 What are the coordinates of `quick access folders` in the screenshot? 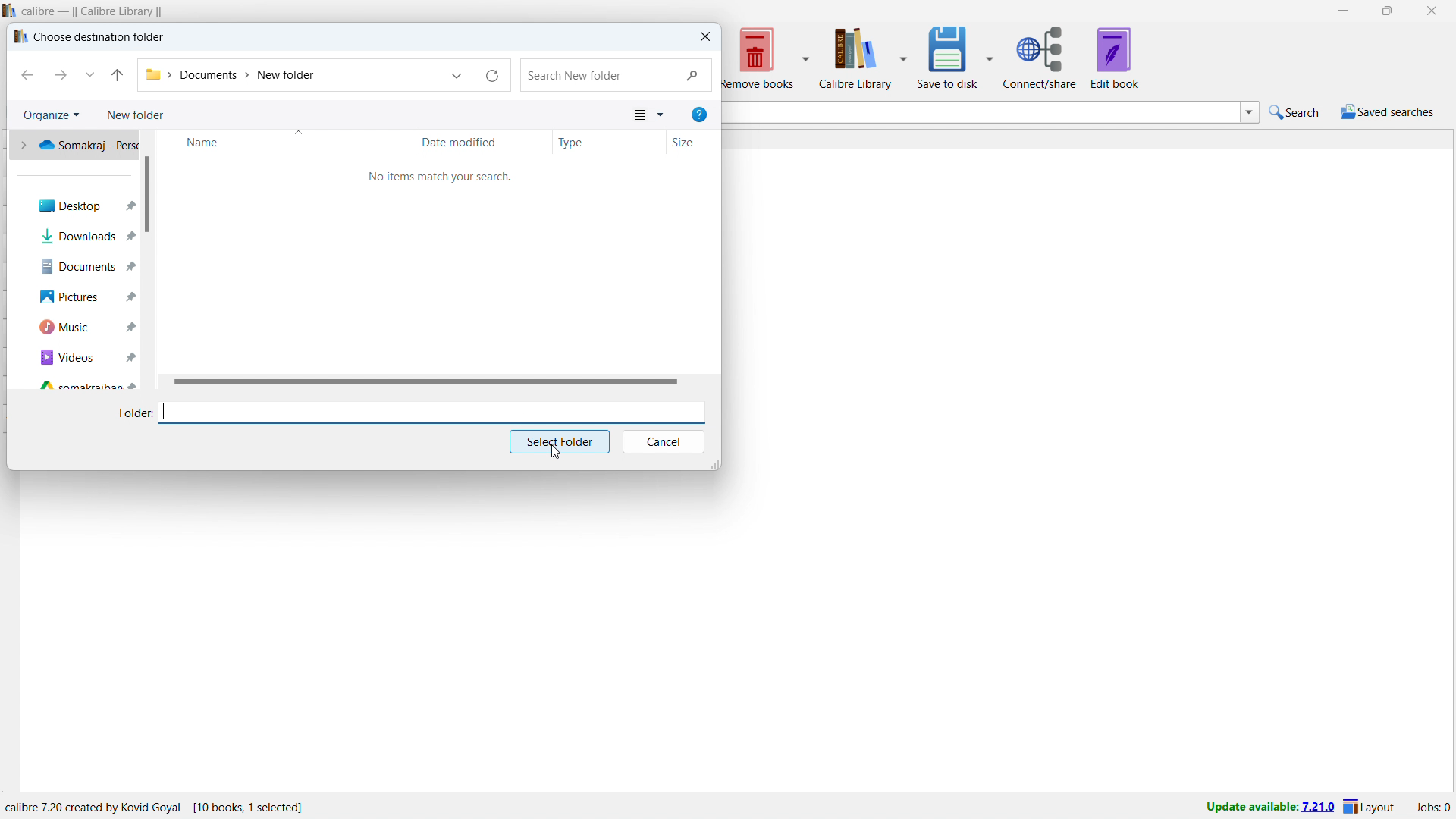 It's located at (72, 260).